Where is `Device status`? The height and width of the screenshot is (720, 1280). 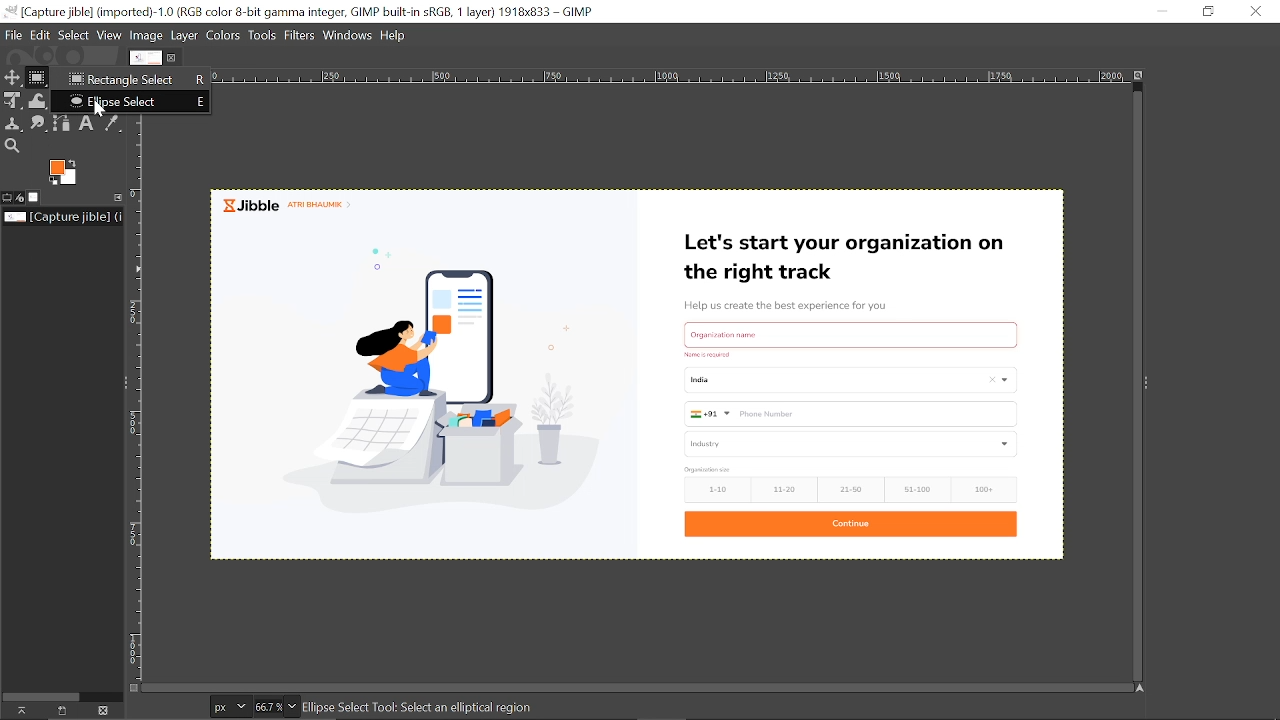 Device status is located at coordinates (21, 197).